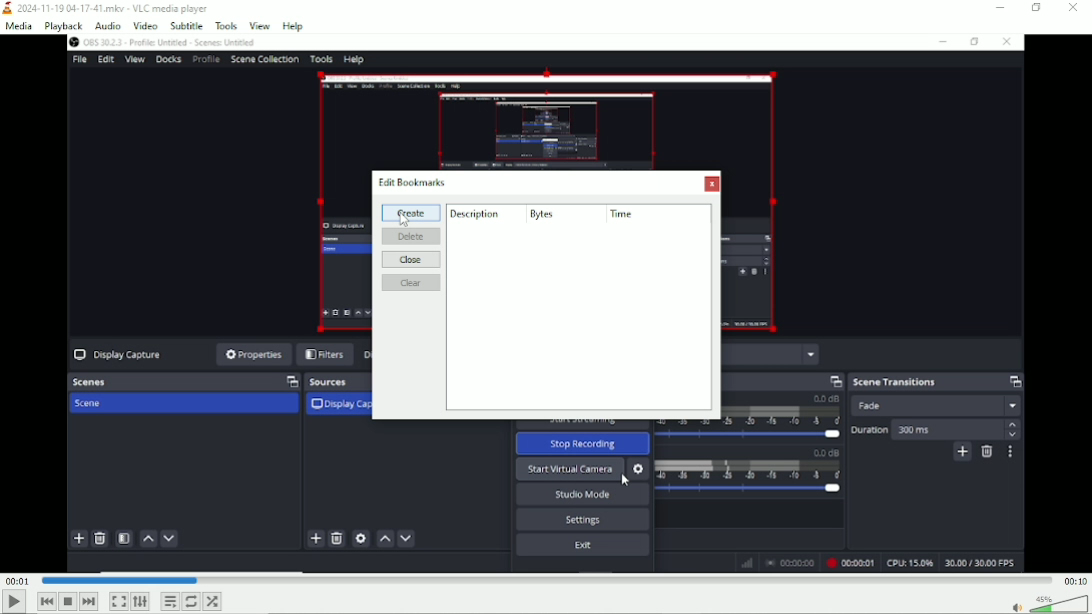 Image resolution: width=1092 pixels, height=614 pixels. What do you see at coordinates (88, 601) in the screenshot?
I see `Next` at bounding box center [88, 601].